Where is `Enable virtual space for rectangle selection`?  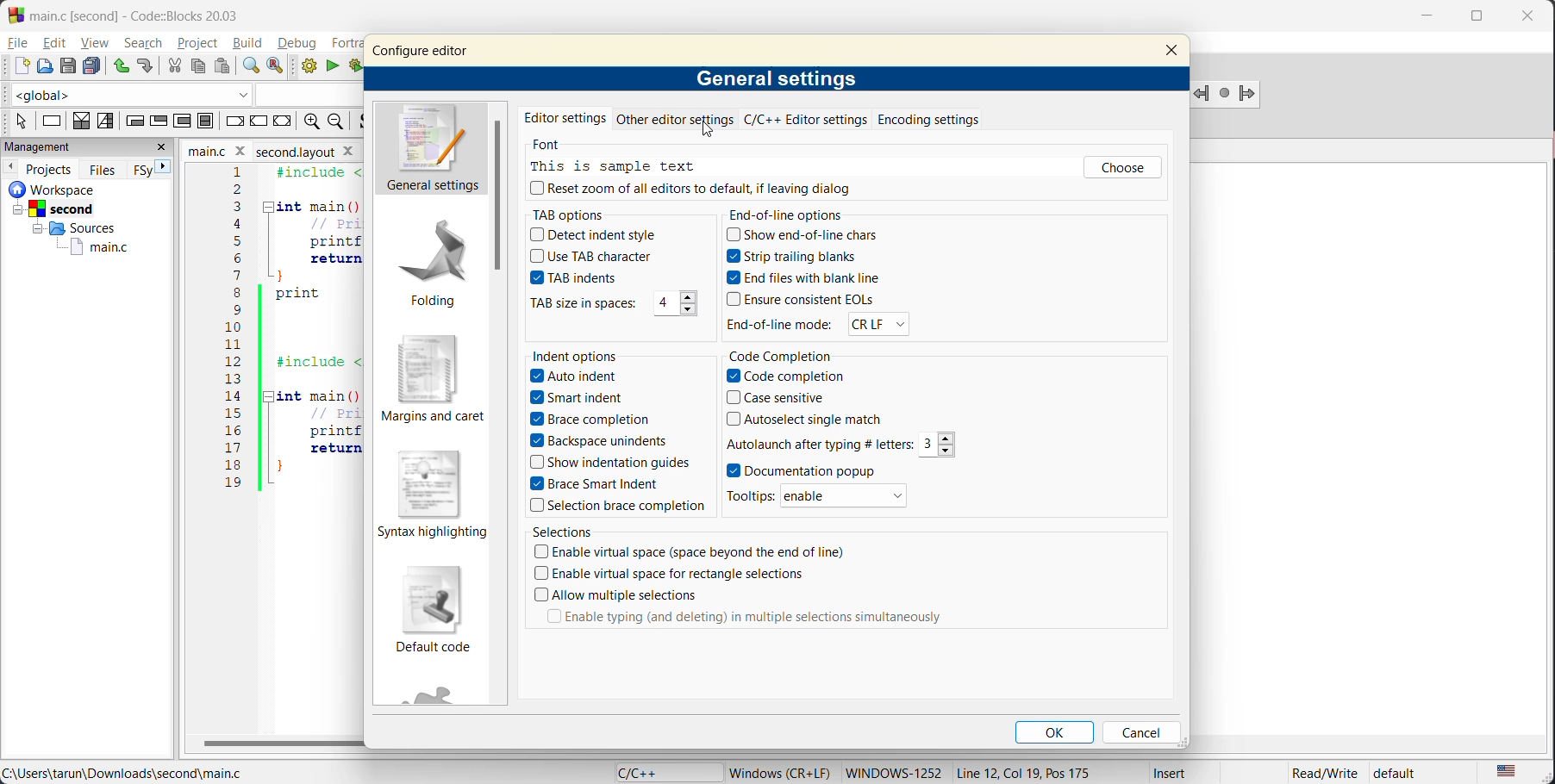 Enable virtual space for rectangle selection is located at coordinates (678, 573).